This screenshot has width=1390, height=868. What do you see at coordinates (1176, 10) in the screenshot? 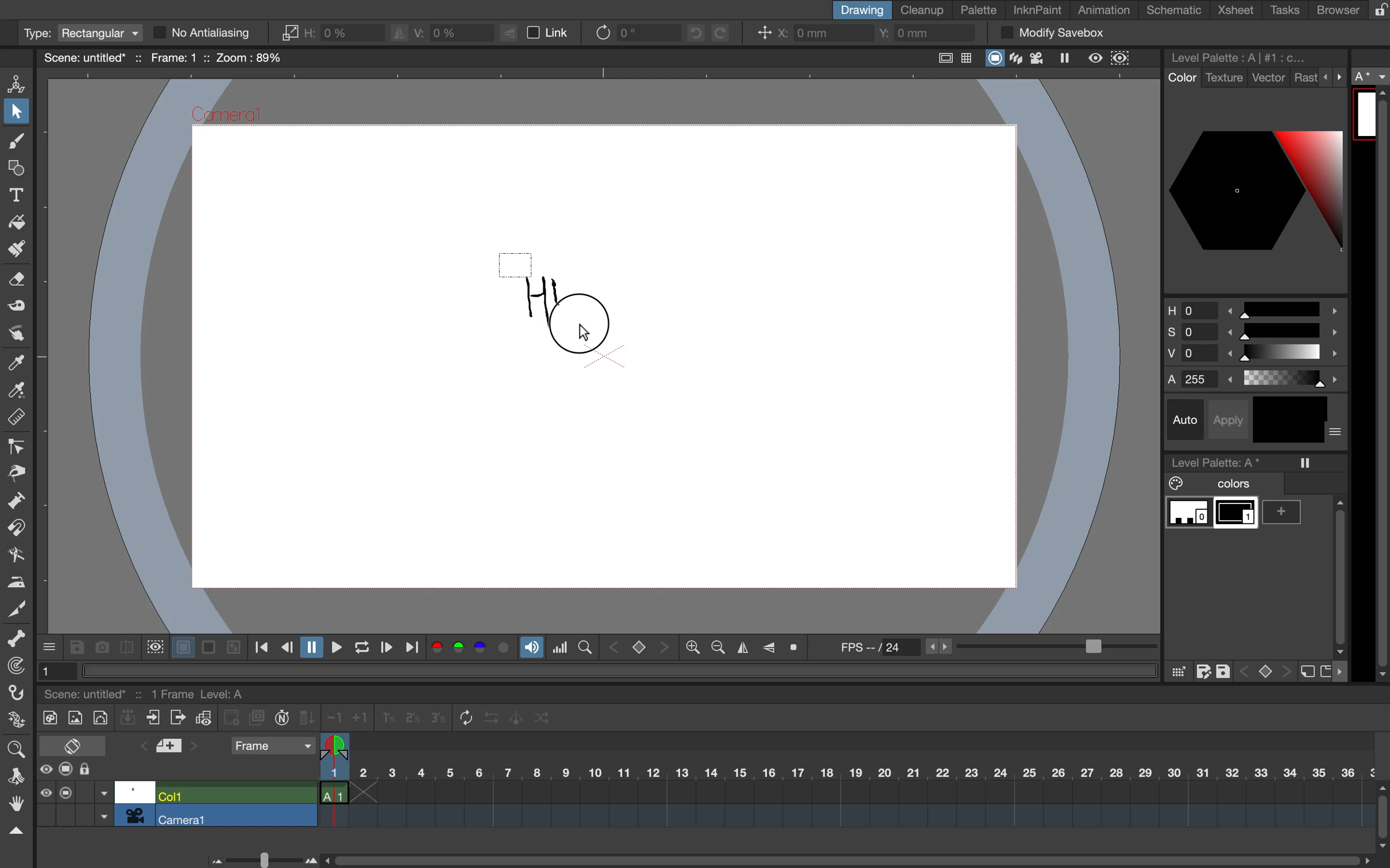
I see `schematic` at bounding box center [1176, 10].